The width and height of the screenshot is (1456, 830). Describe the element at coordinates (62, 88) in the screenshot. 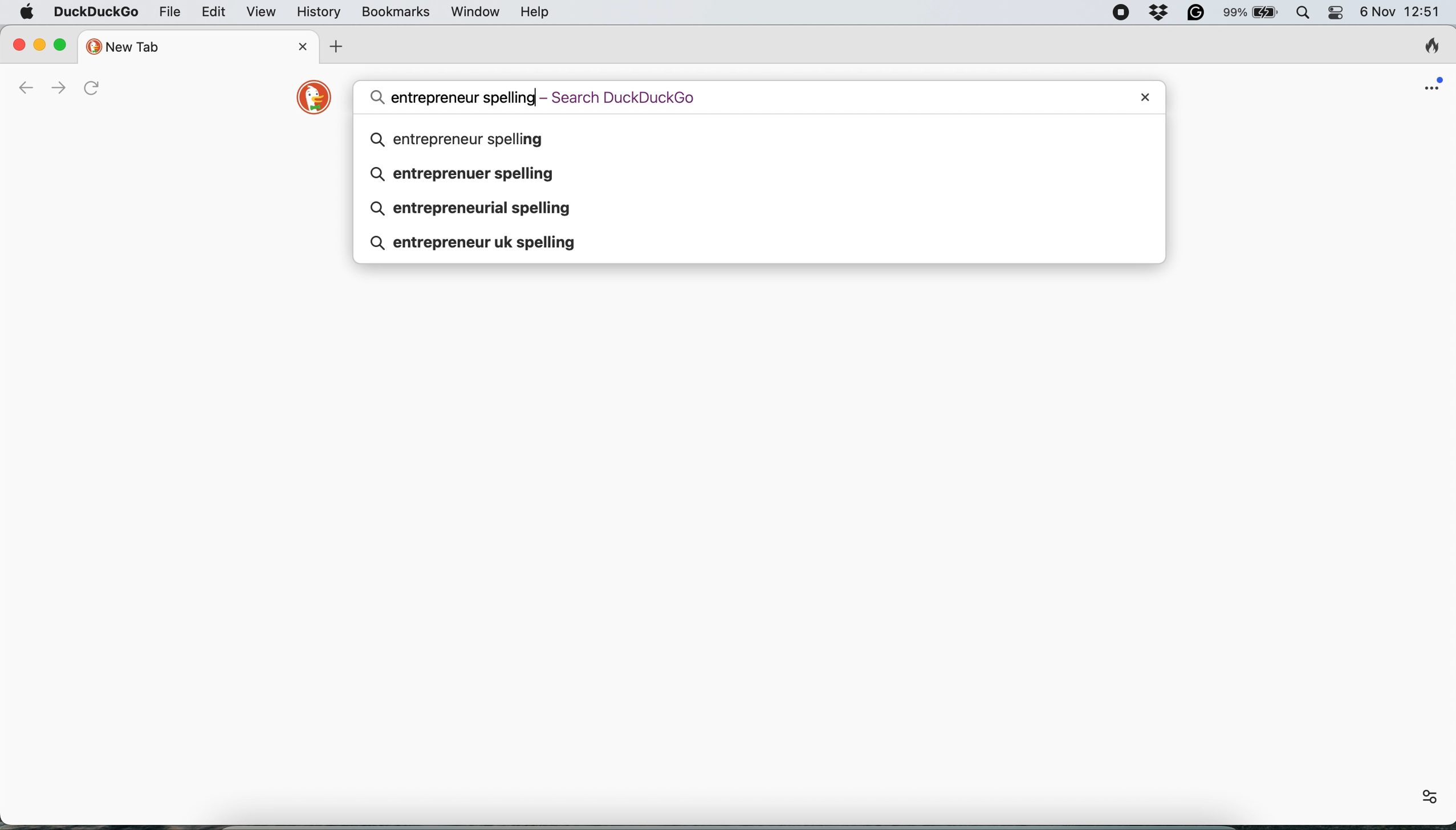

I see `go forward` at that location.